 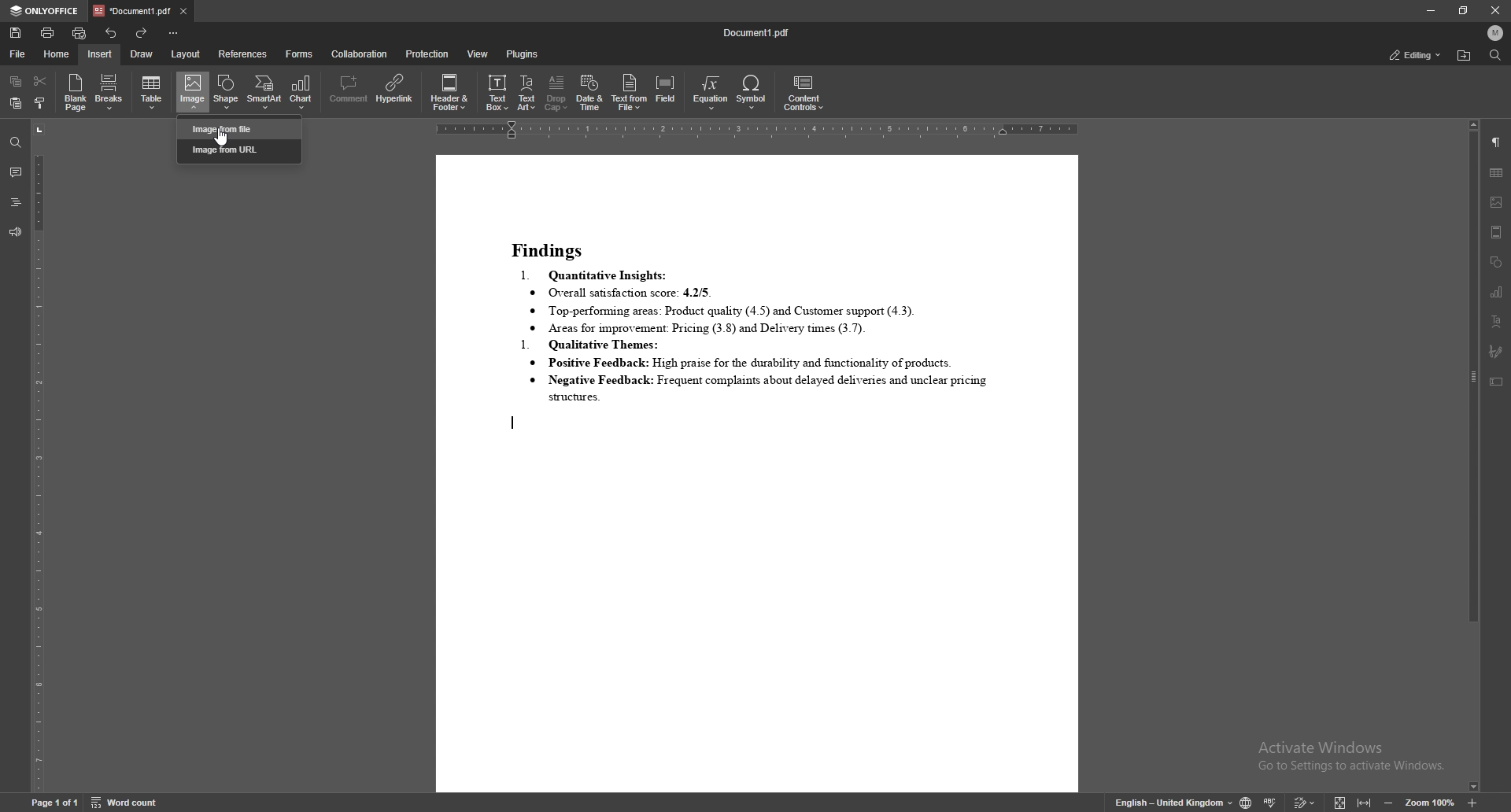 I want to click on zoom percentage, so click(x=1428, y=802).